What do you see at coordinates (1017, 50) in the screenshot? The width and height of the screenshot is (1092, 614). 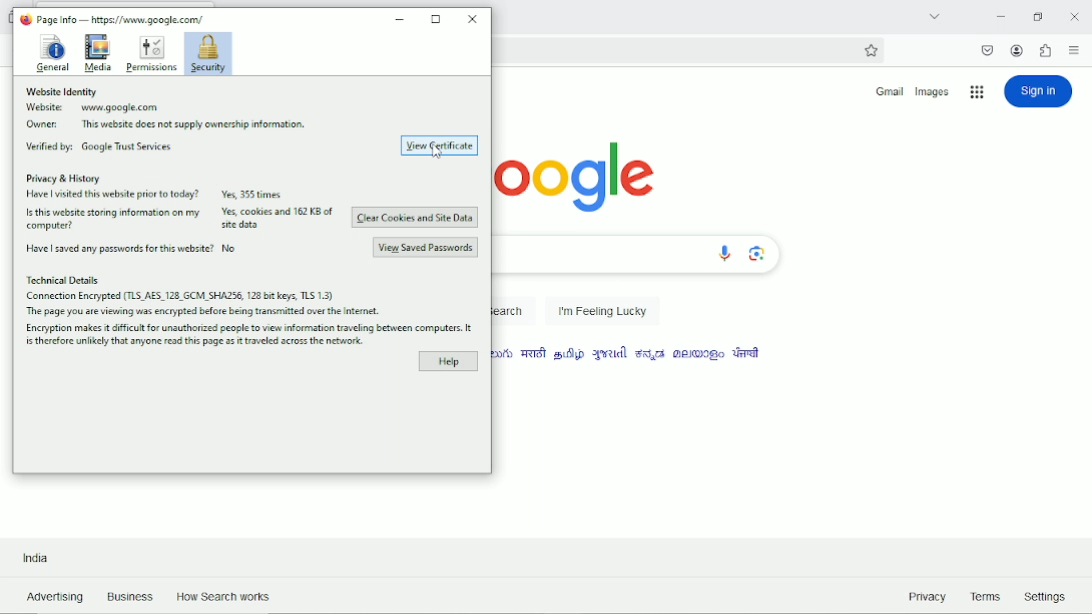 I see `Account` at bounding box center [1017, 50].